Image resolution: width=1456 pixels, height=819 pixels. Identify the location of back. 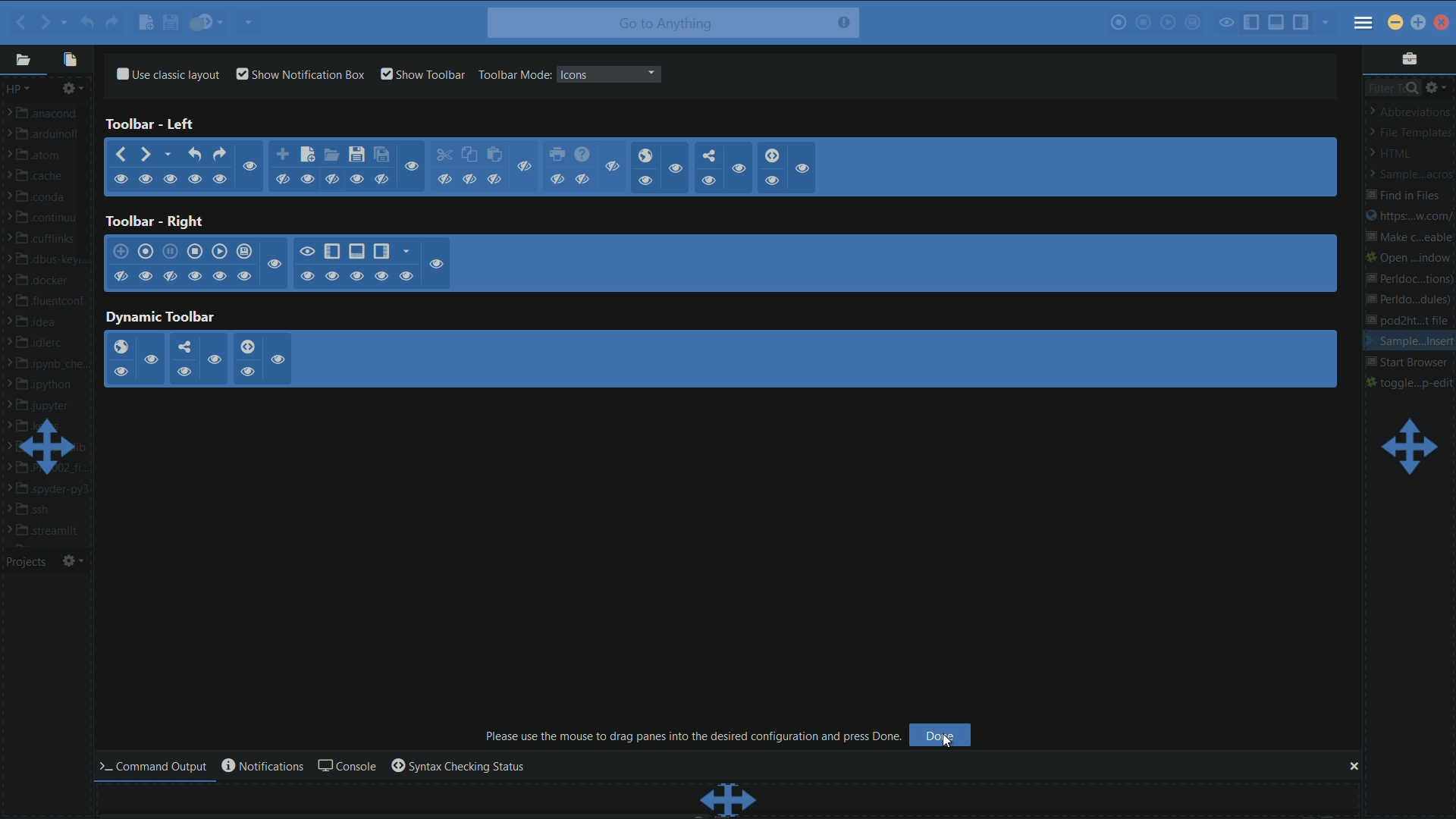
(119, 155).